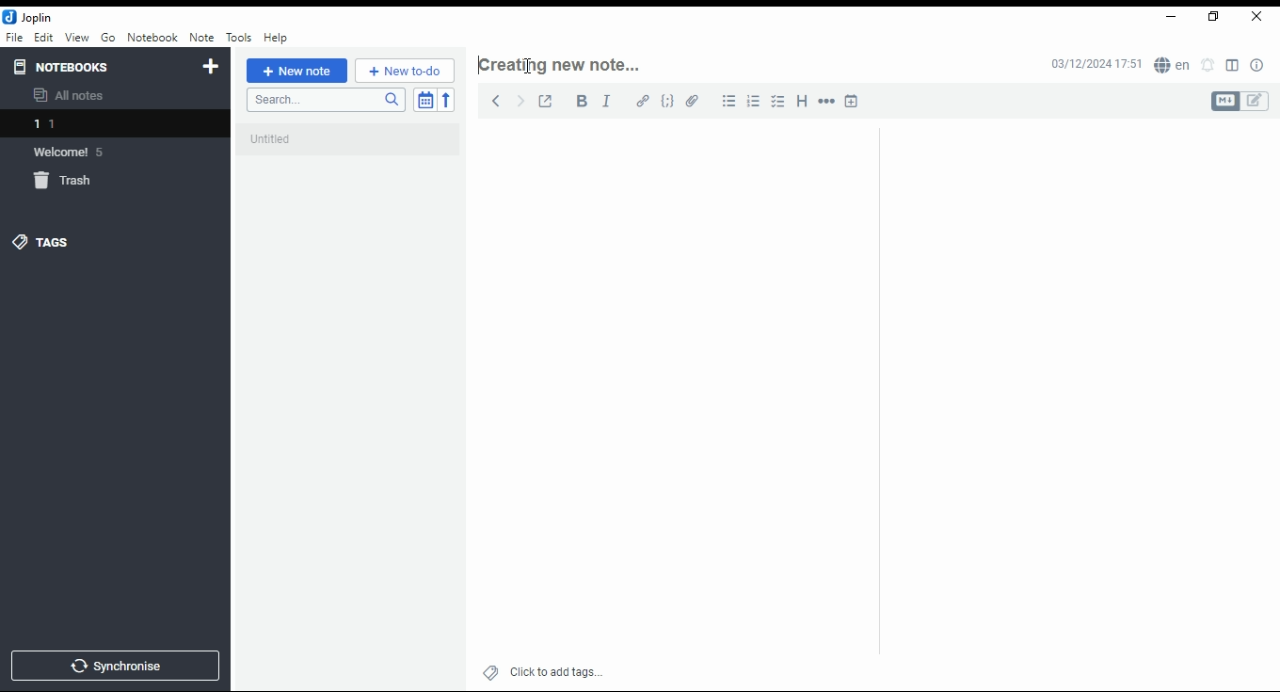 The height and width of the screenshot is (692, 1280). Describe the element at coordinates (643, 101) in the screenshot. I see `hyperlink` at that location.